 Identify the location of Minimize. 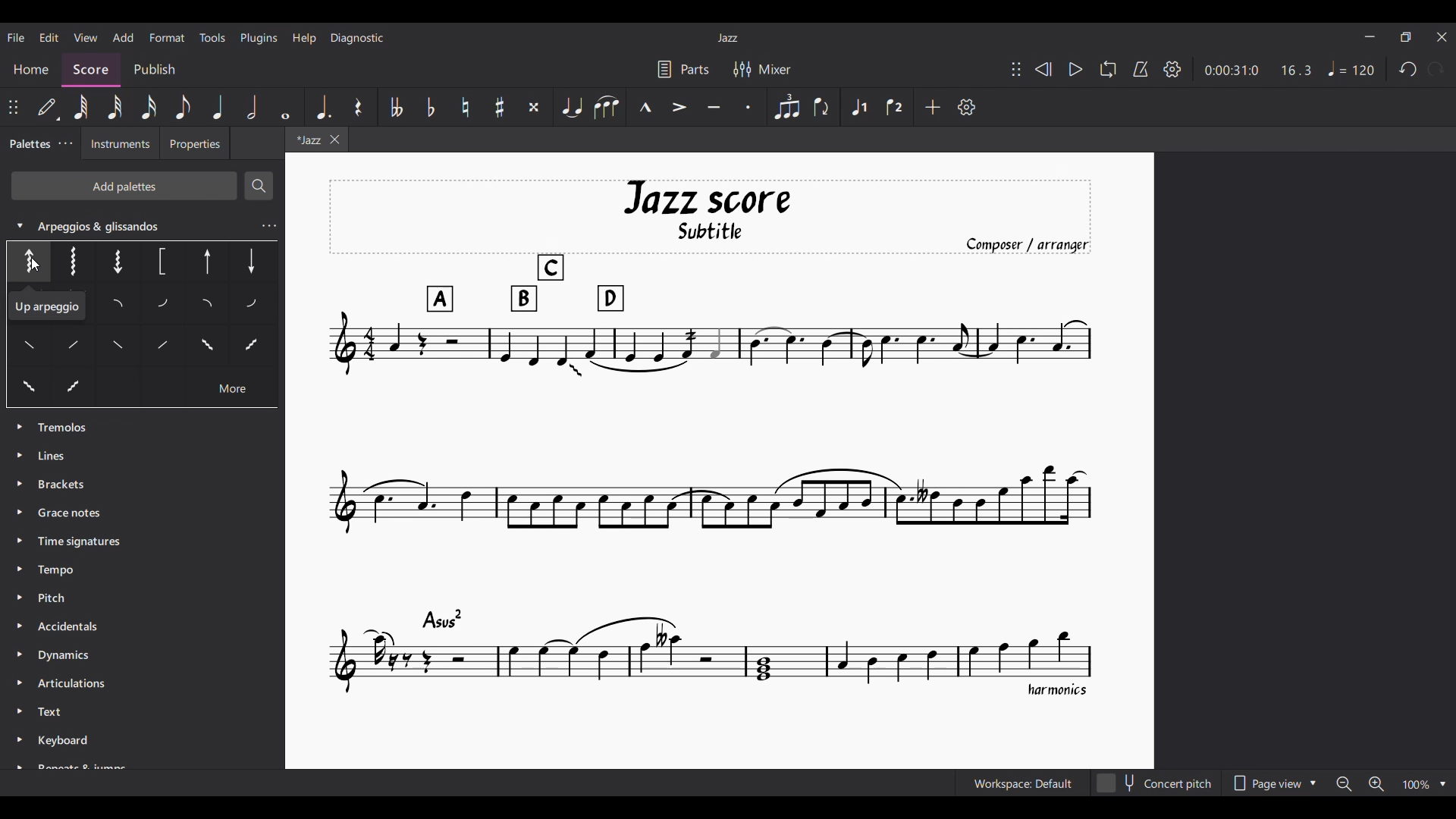
(1370, 36).